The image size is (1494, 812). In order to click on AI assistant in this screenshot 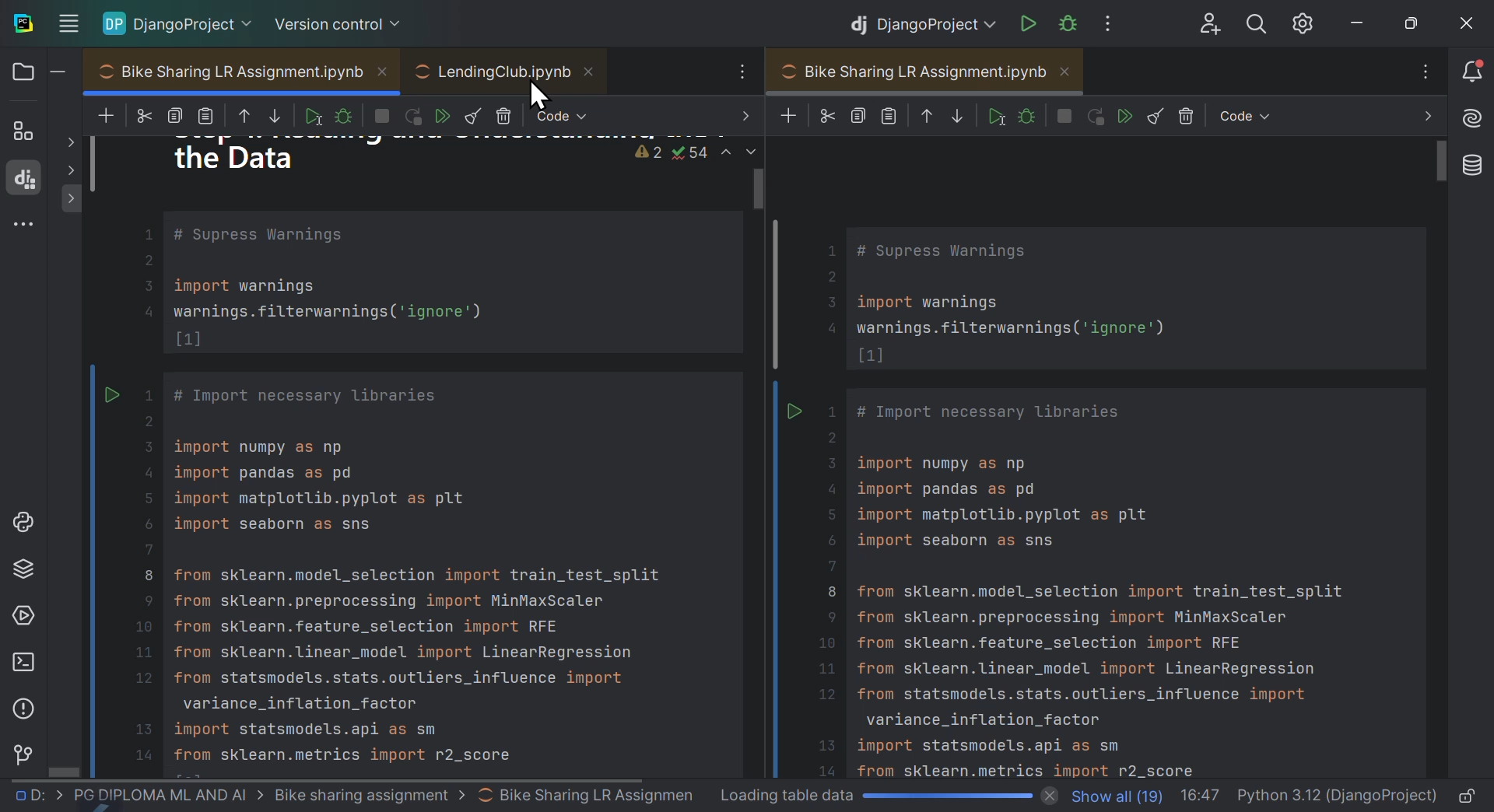, I will do `click(1474, 120)`.